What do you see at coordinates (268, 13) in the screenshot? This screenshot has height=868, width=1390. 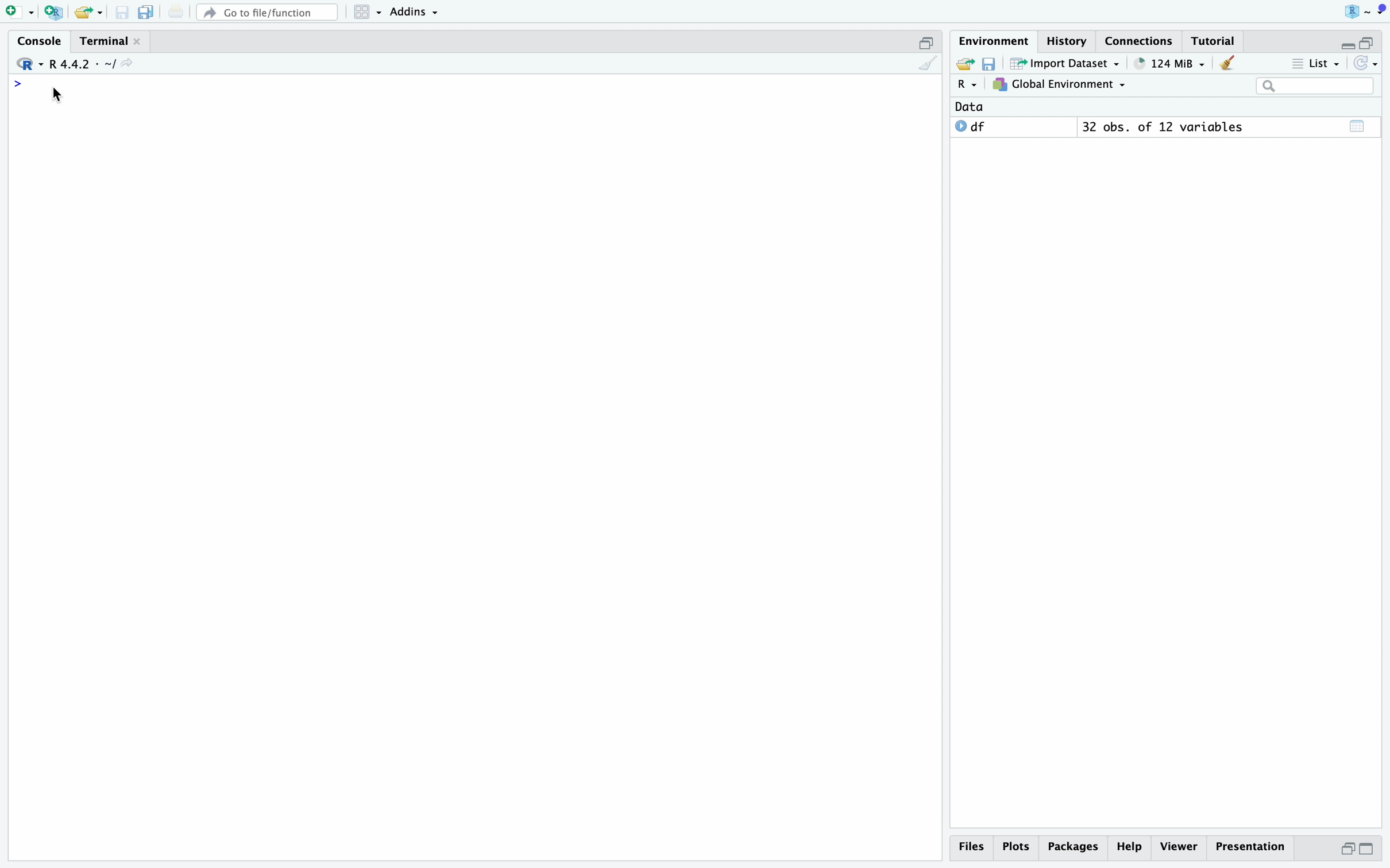 I see `go to file/function` at bounding box center [268, 13].